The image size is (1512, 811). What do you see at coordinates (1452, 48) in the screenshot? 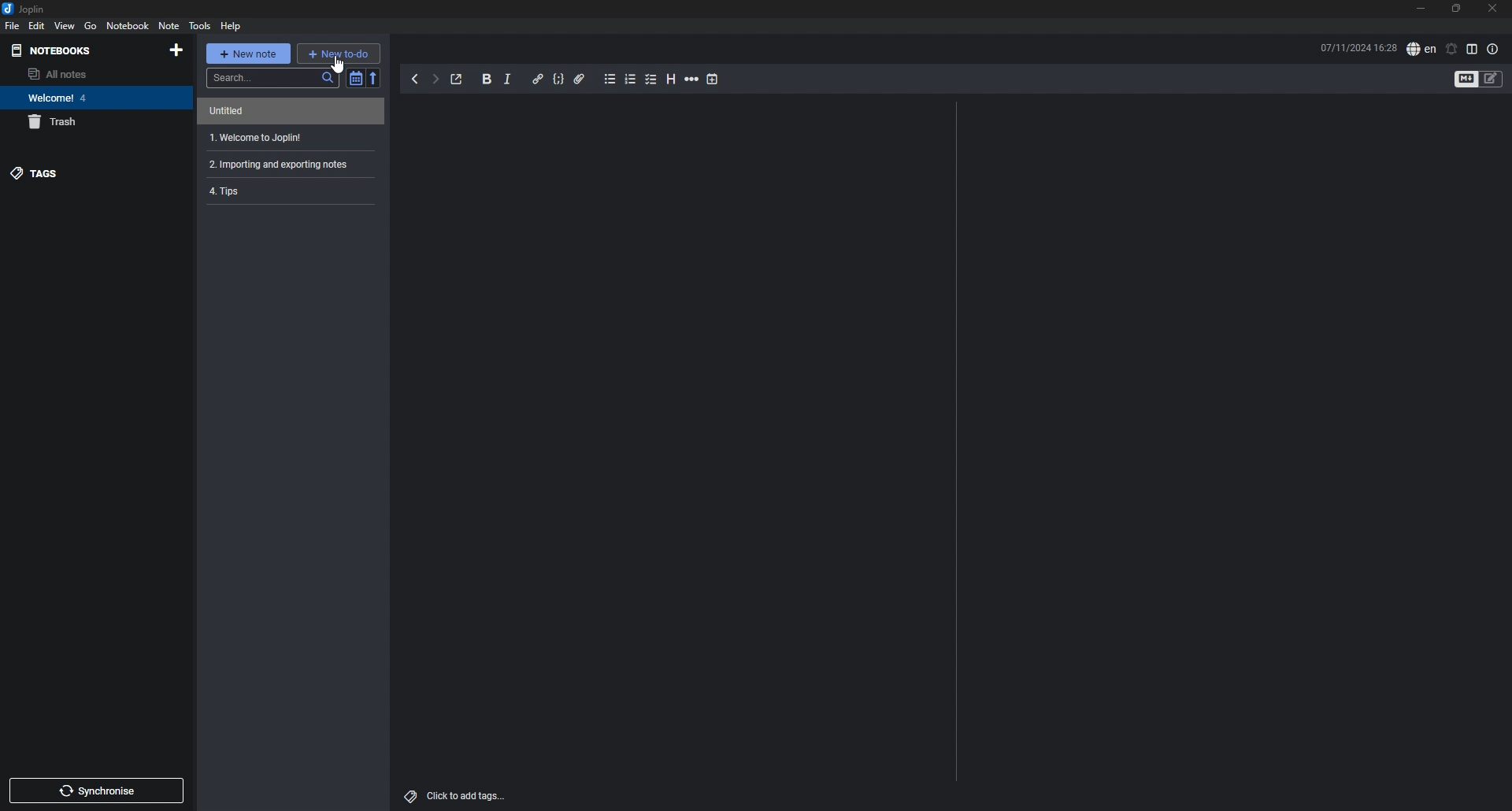
I see `set alarm` at bounding box center [1452, 48].